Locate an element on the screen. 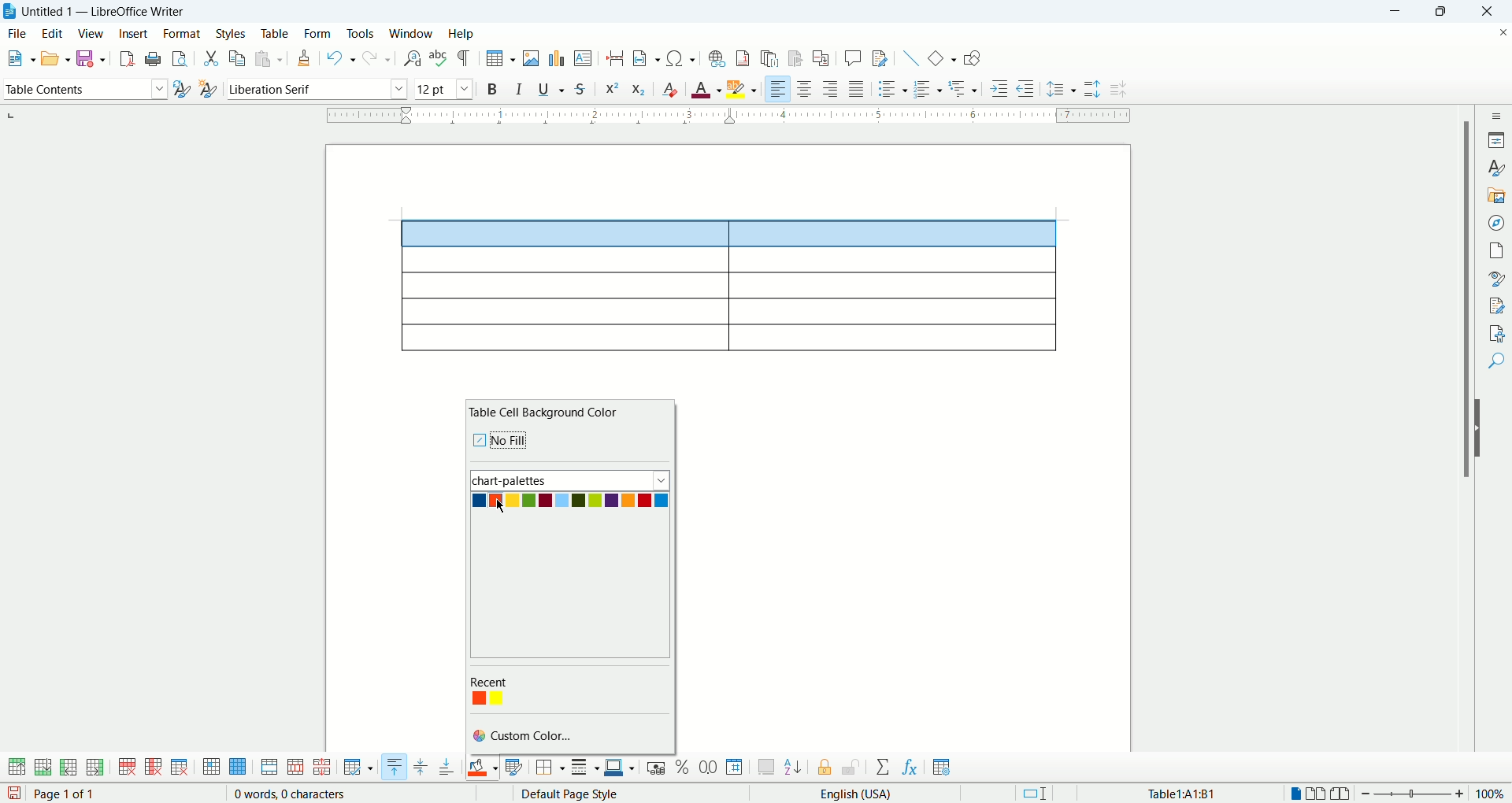 The image size is (1512, 803). insert row below is located at coordinates (44, 766).